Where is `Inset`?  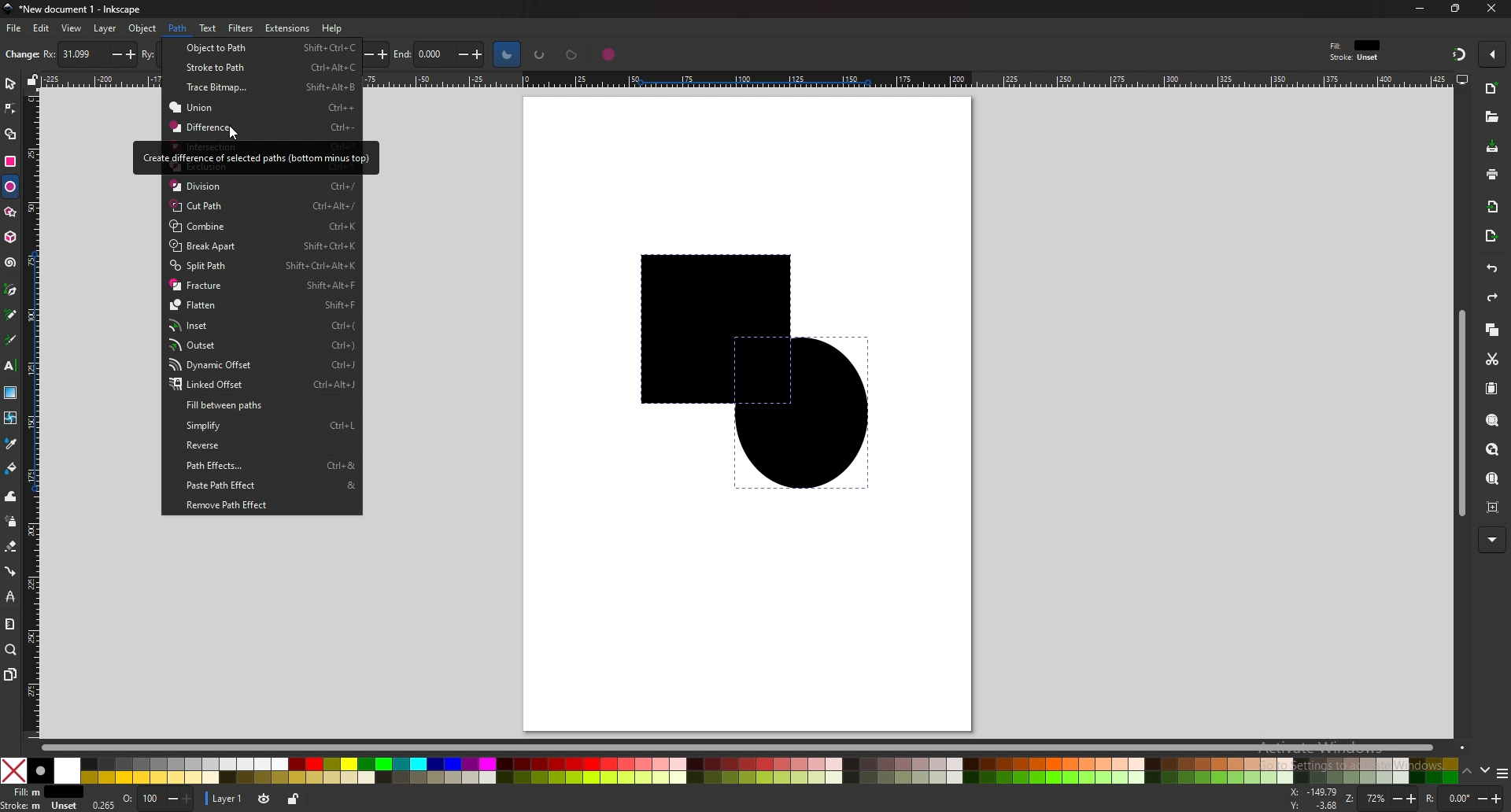
Inset is located at coordinates (257, 326).